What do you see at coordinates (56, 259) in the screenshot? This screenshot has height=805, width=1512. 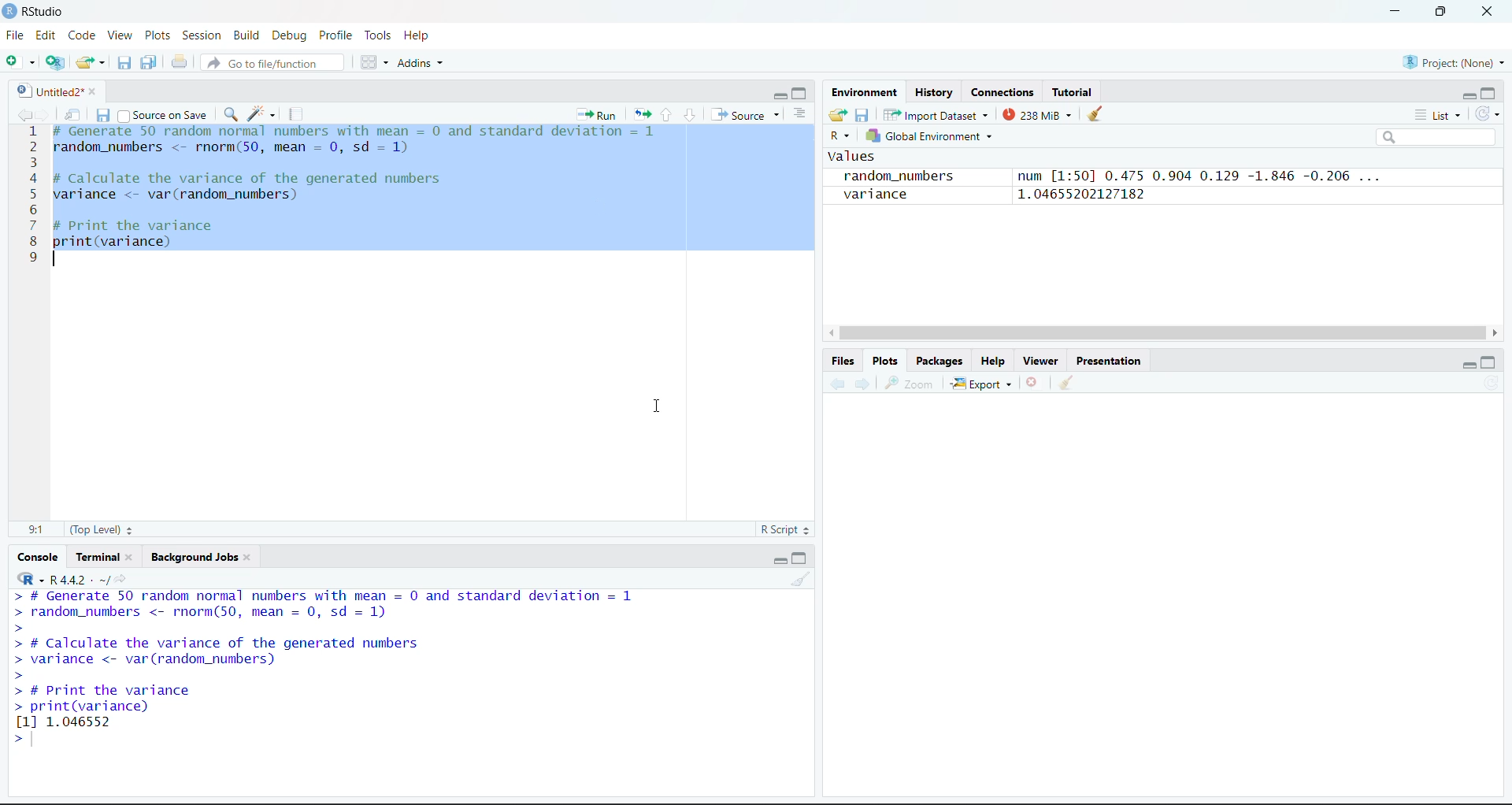 I see `typing cursor` at bounding box center [56, 259].